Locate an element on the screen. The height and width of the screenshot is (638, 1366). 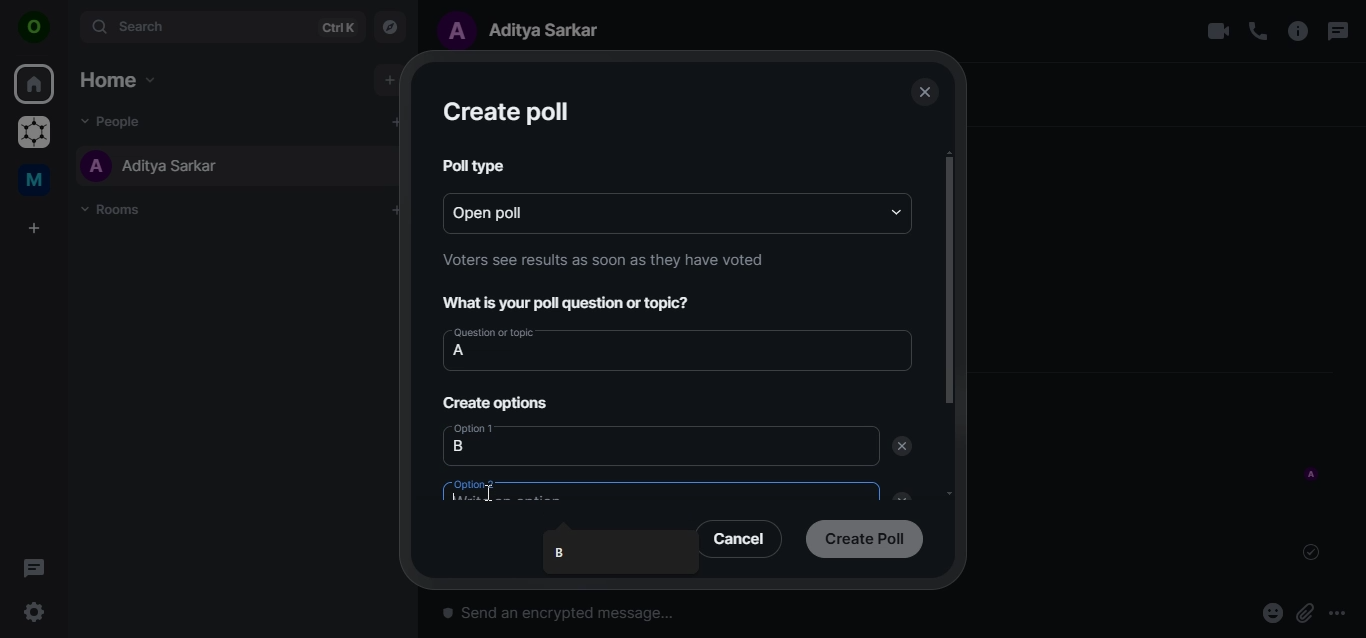
b is located at coordinates (562, 553).